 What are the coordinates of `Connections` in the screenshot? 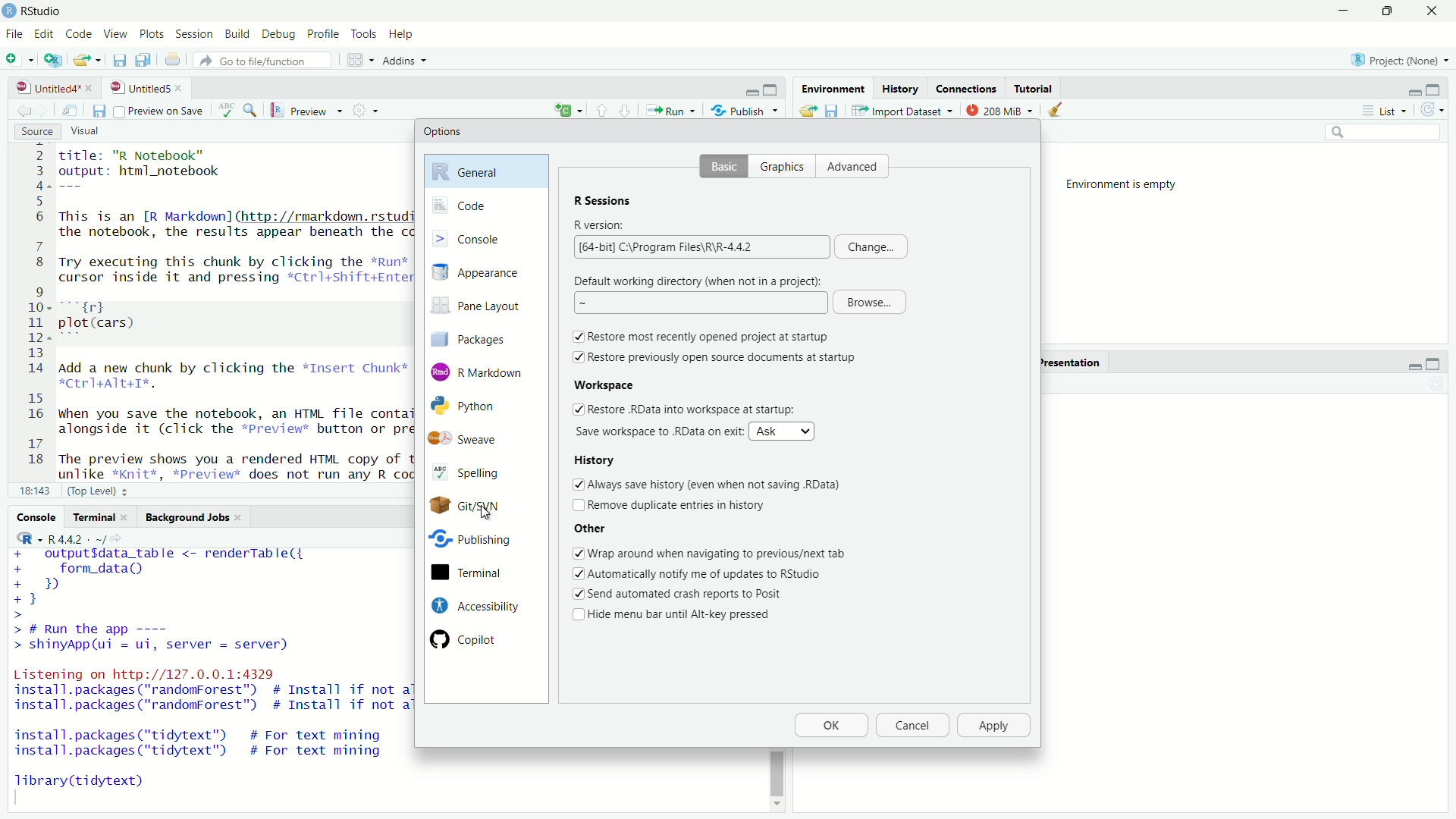 It's located at (966, 88).